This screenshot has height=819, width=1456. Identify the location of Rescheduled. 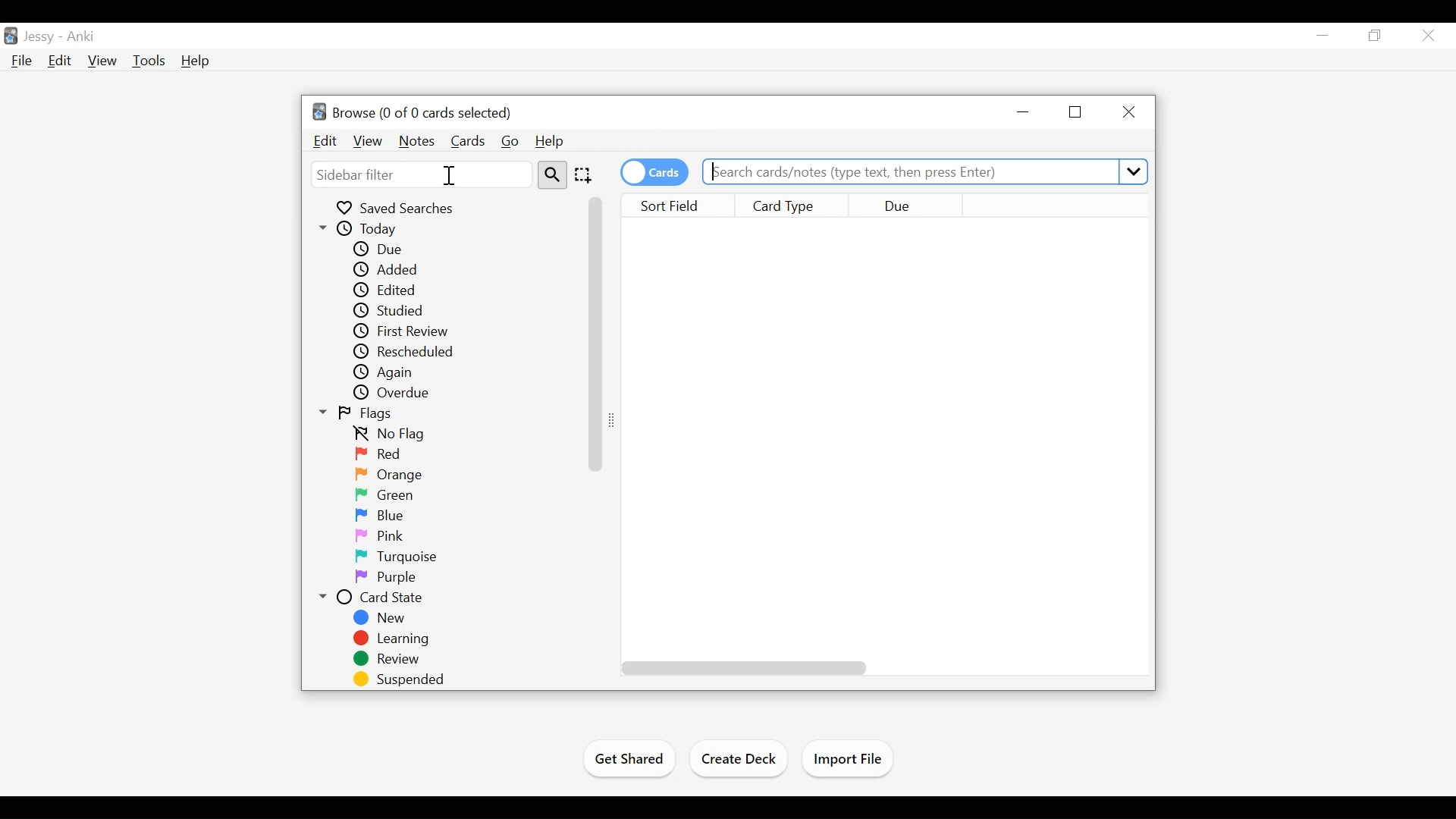
(402, 353).